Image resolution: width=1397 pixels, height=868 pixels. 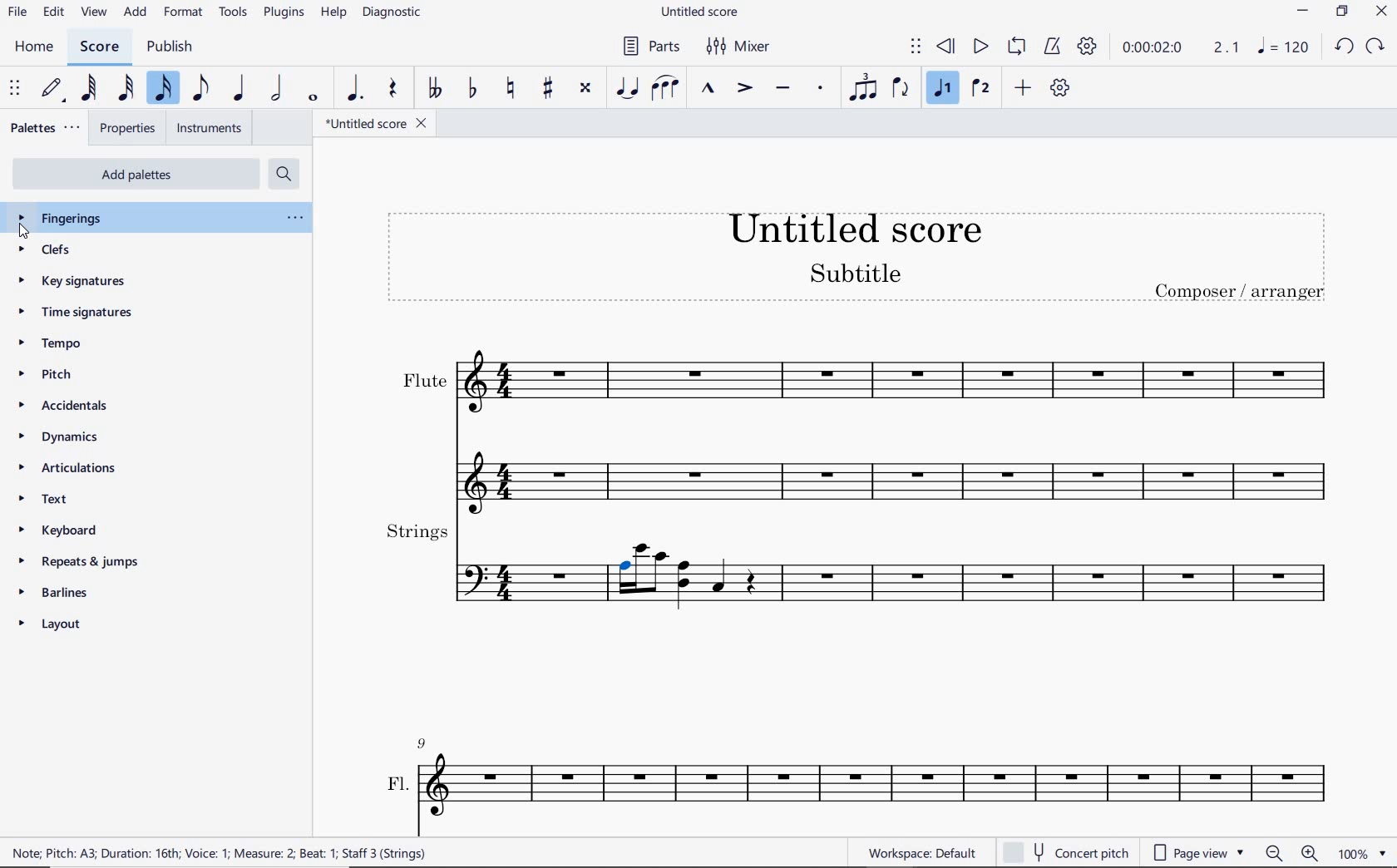 What do you see at coordinates (313, 96) in the screenshot?
I see `whole note` at bounding box center [313, 96].